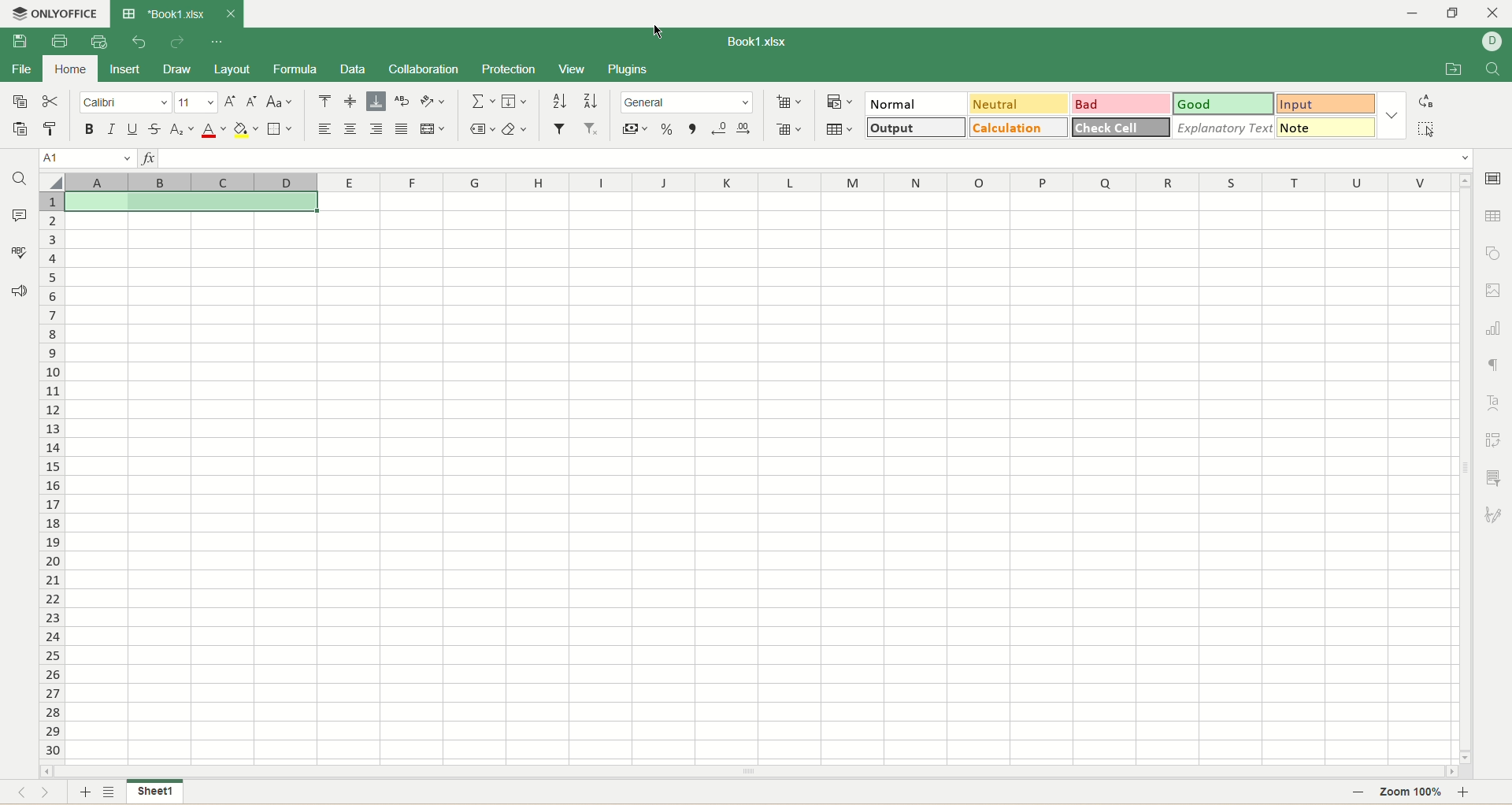 The height and width of the screenshot is (805, 1512). Describe the element at coordinates (559, 128) in the screenshot. I see `filter` at that location.